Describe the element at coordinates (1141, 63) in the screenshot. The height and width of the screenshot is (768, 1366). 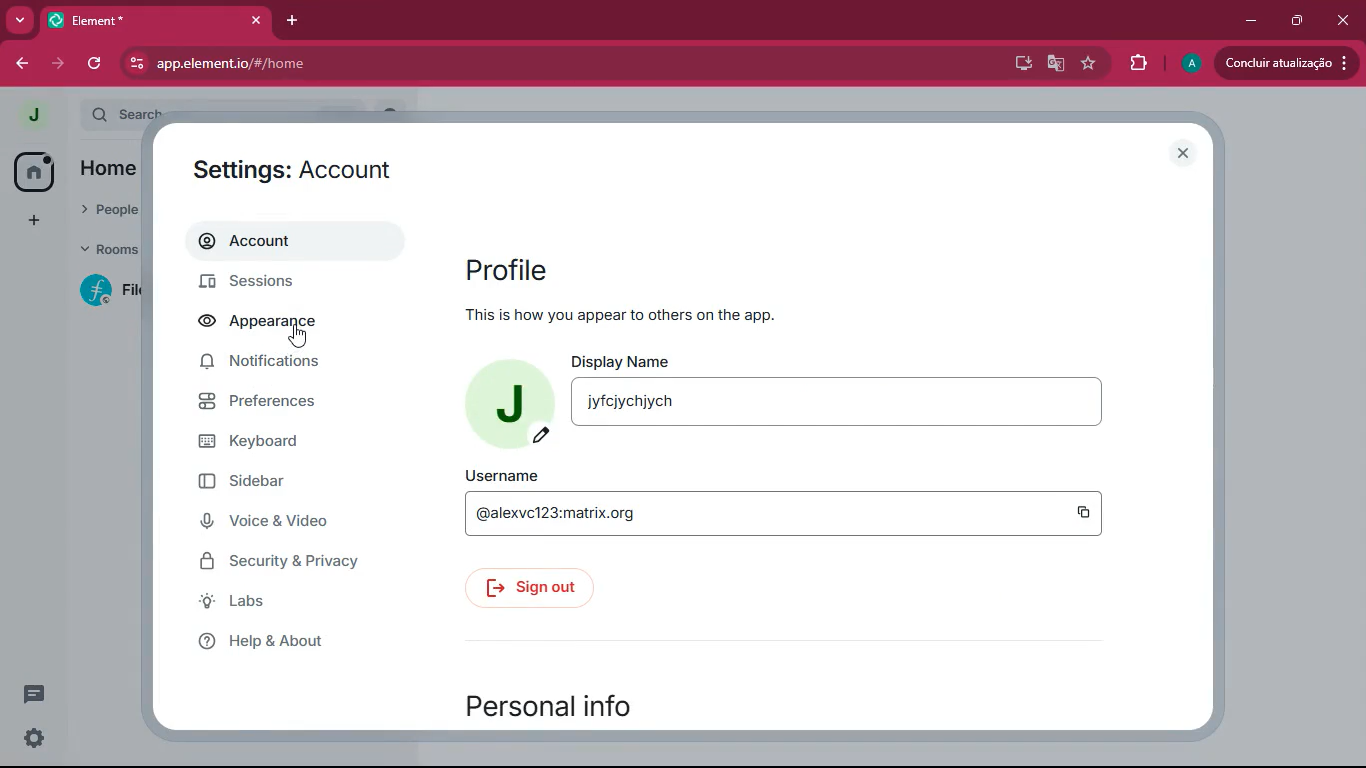
I see `extension` at that location.